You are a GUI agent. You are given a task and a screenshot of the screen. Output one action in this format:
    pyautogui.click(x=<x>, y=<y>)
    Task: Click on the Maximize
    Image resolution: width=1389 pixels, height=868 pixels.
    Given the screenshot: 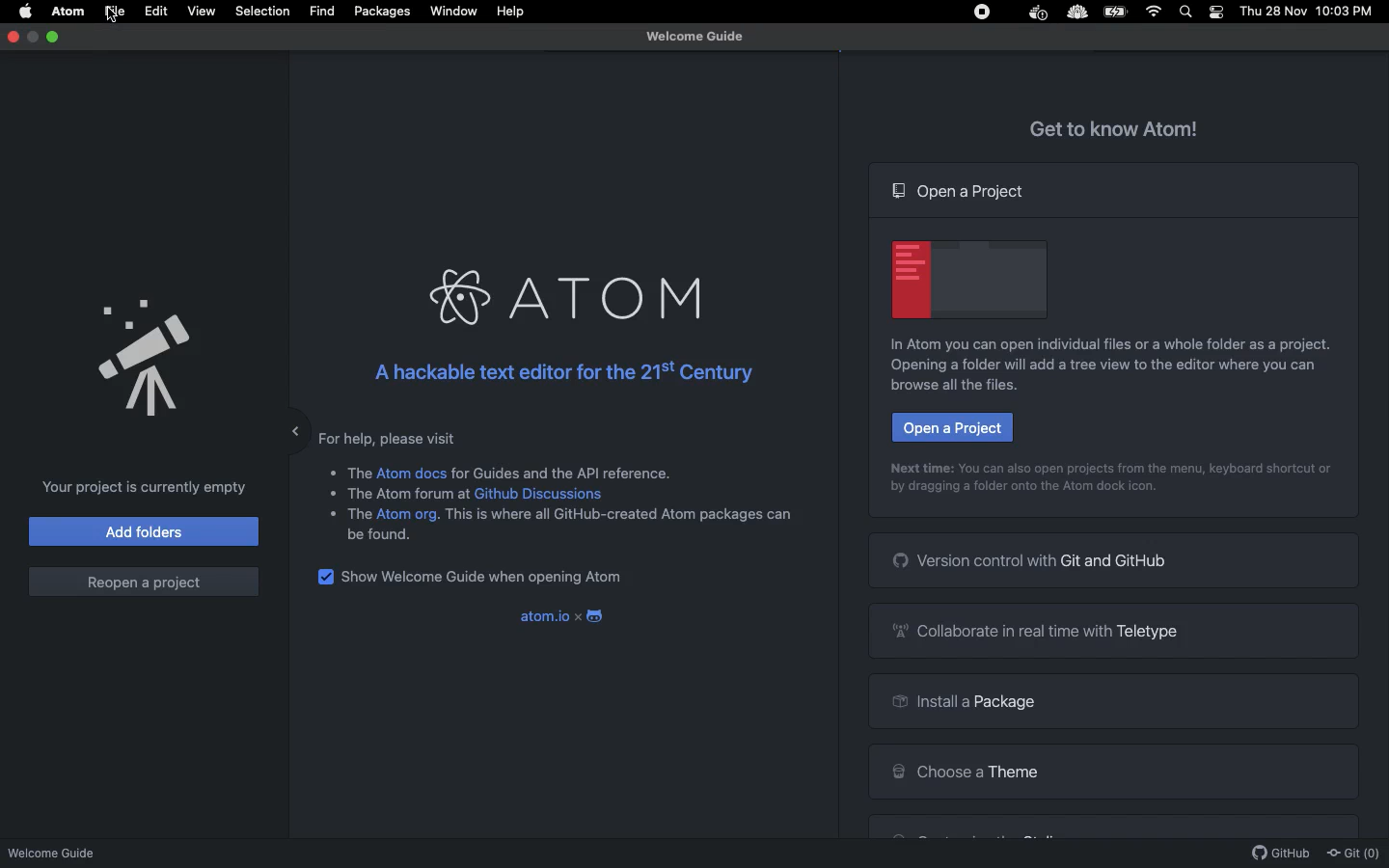 What is the action you would take?
    pyautogui.click(x=55, y=37)
    